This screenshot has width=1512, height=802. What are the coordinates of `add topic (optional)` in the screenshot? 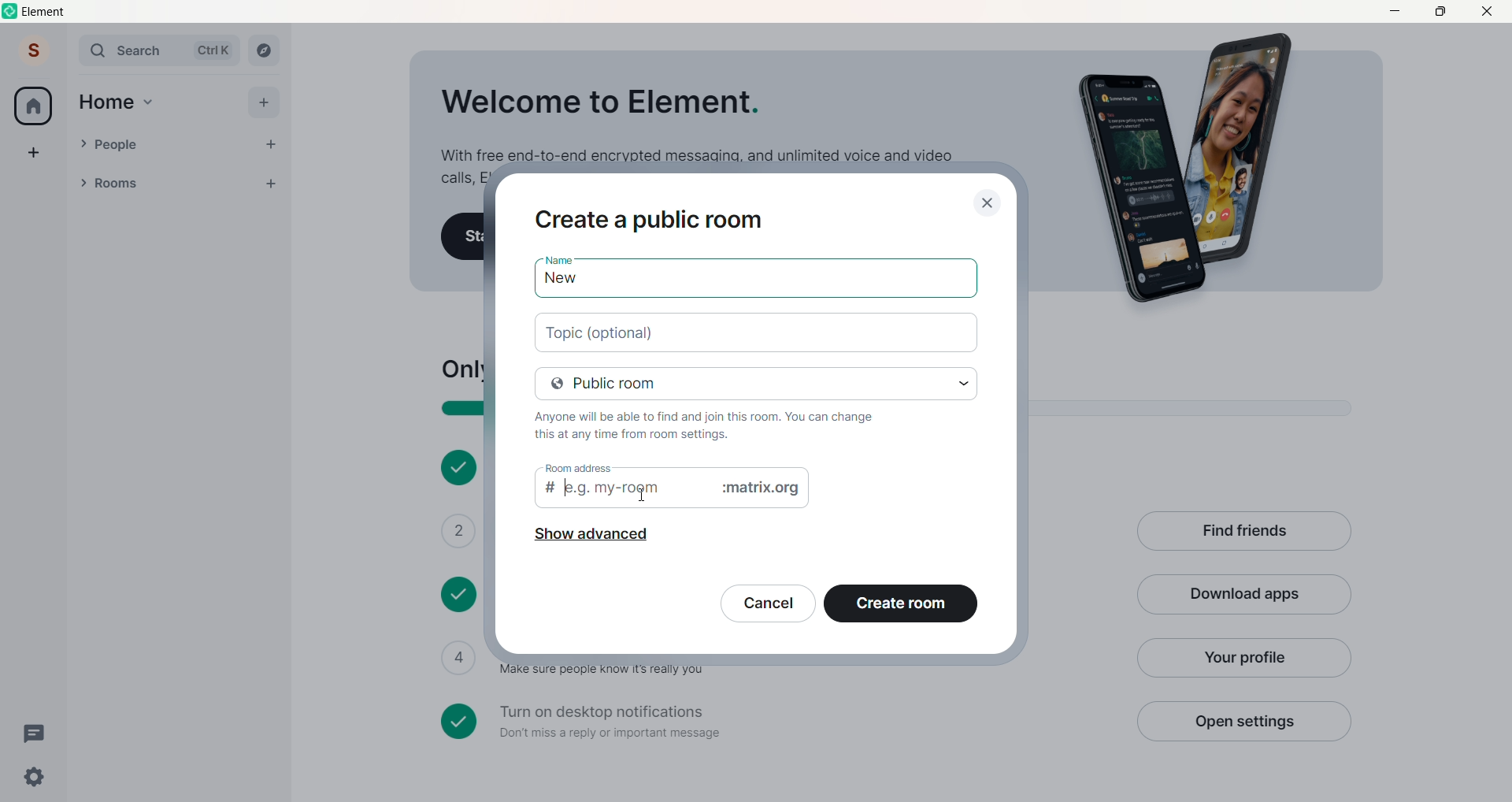 It's located at (758, 330).